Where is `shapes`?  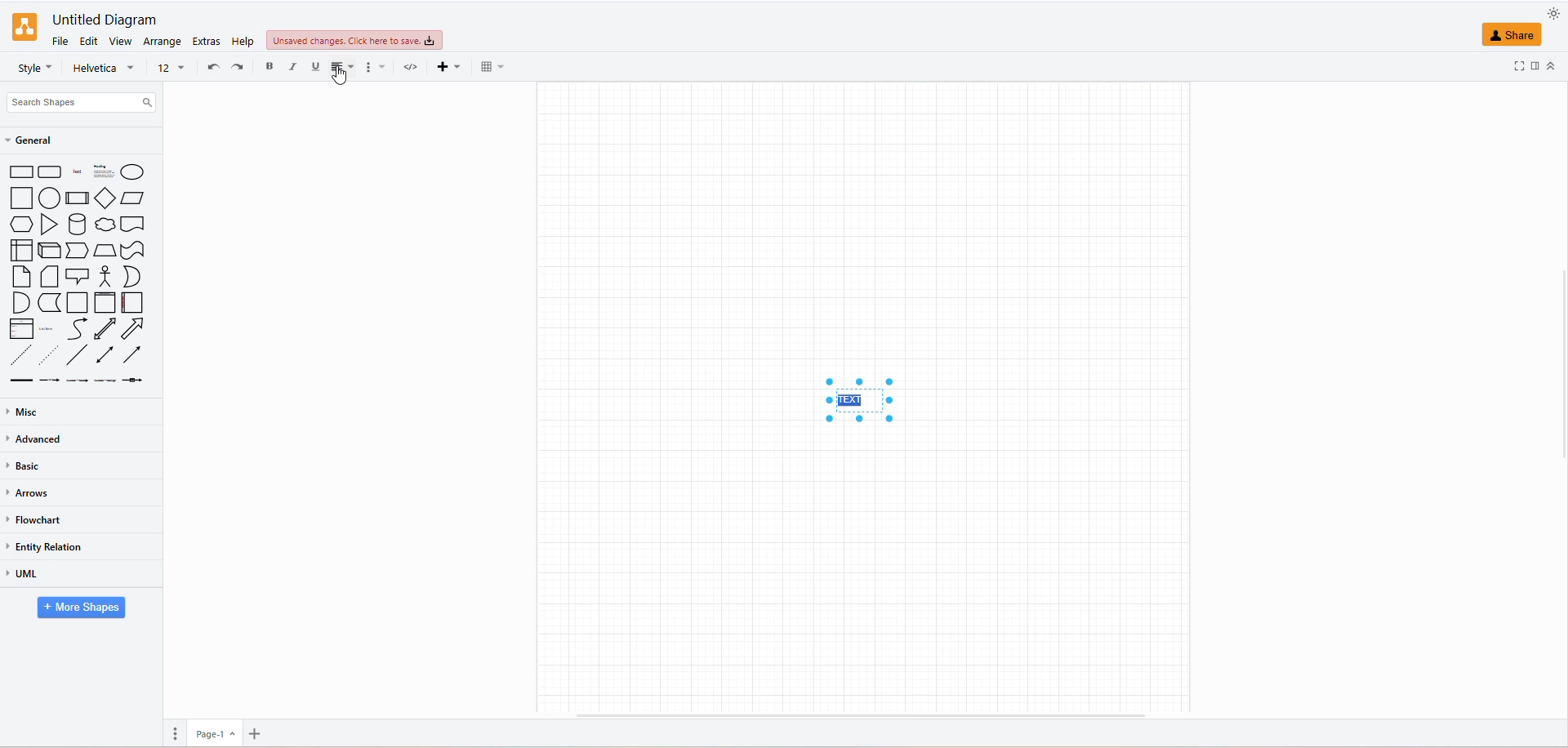
shapes is located at coordinates (82, 274).